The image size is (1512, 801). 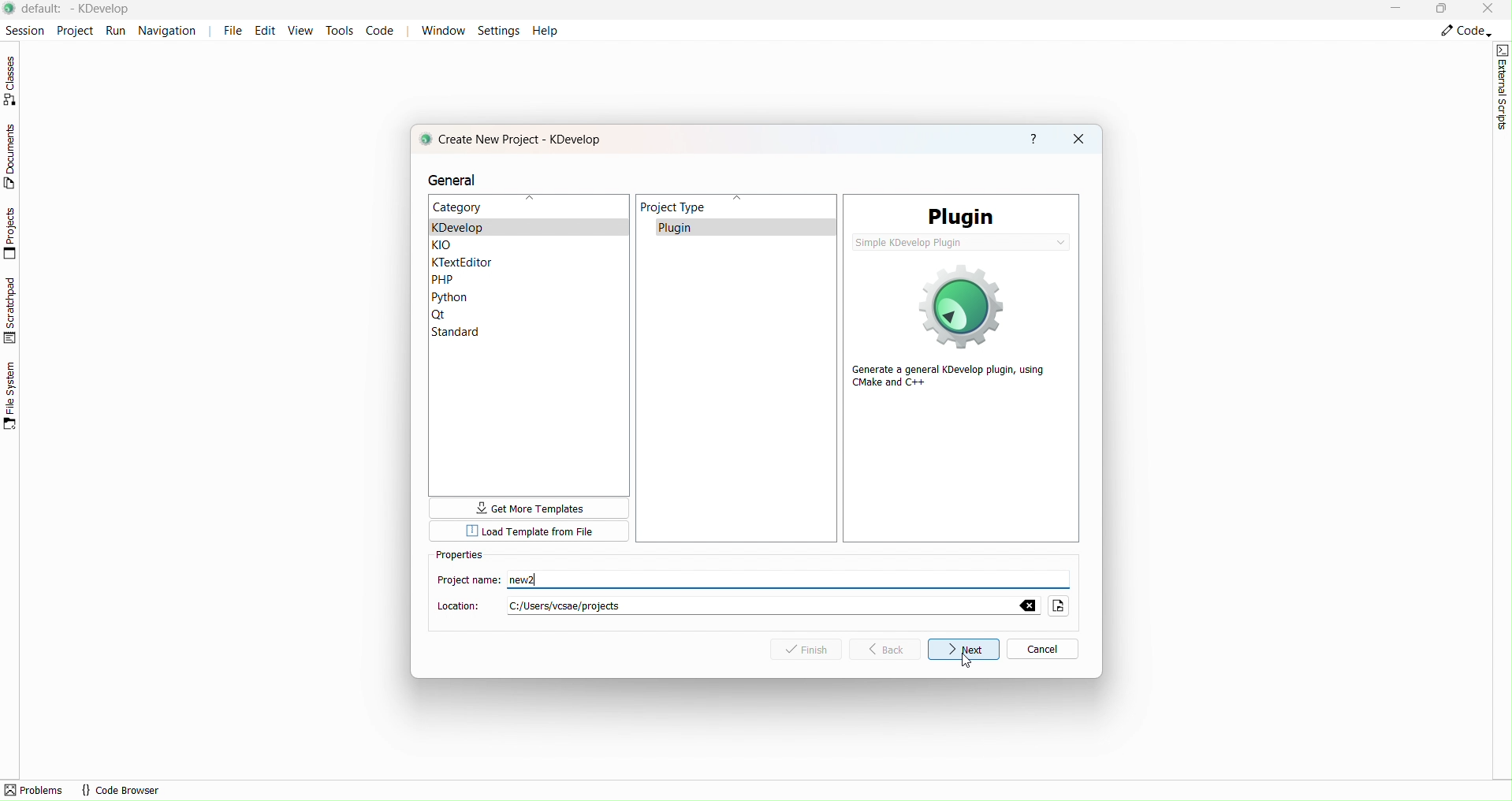 What do you see at coordinates (80, 9) in the screenshot?
I see `file name and application name` at bounding box center [80, 9].